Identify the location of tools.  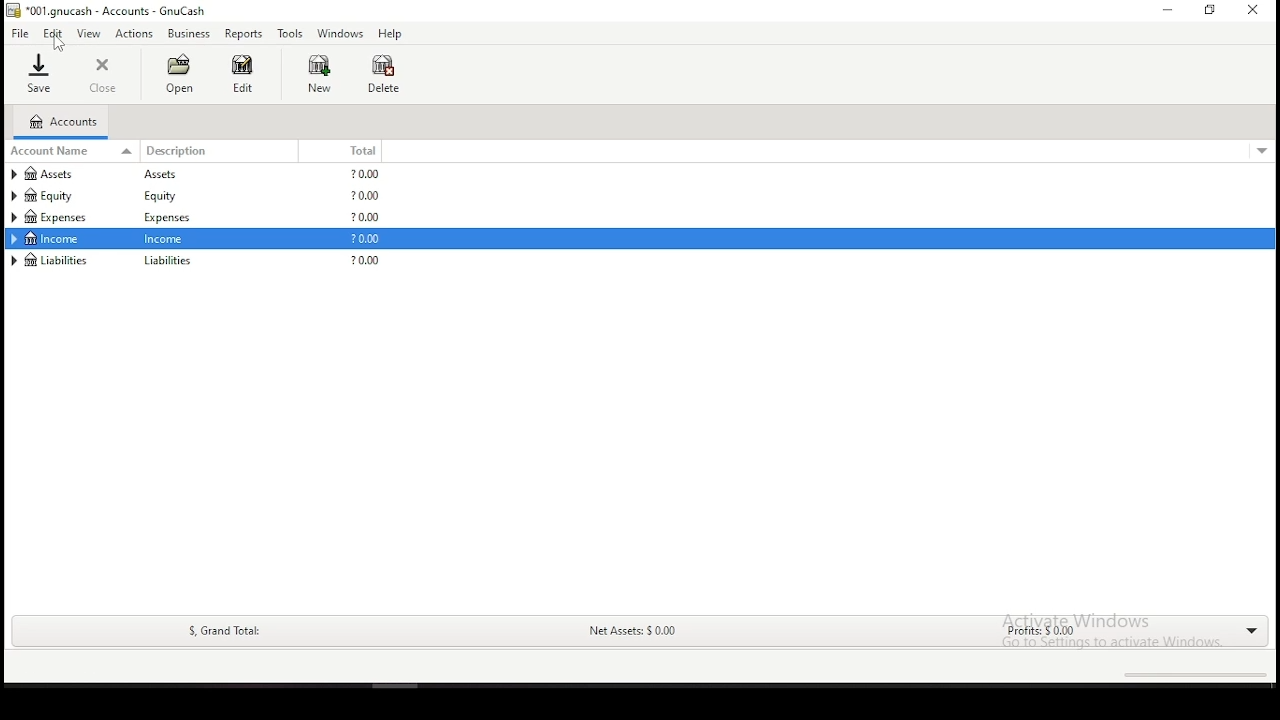
(291, 33).